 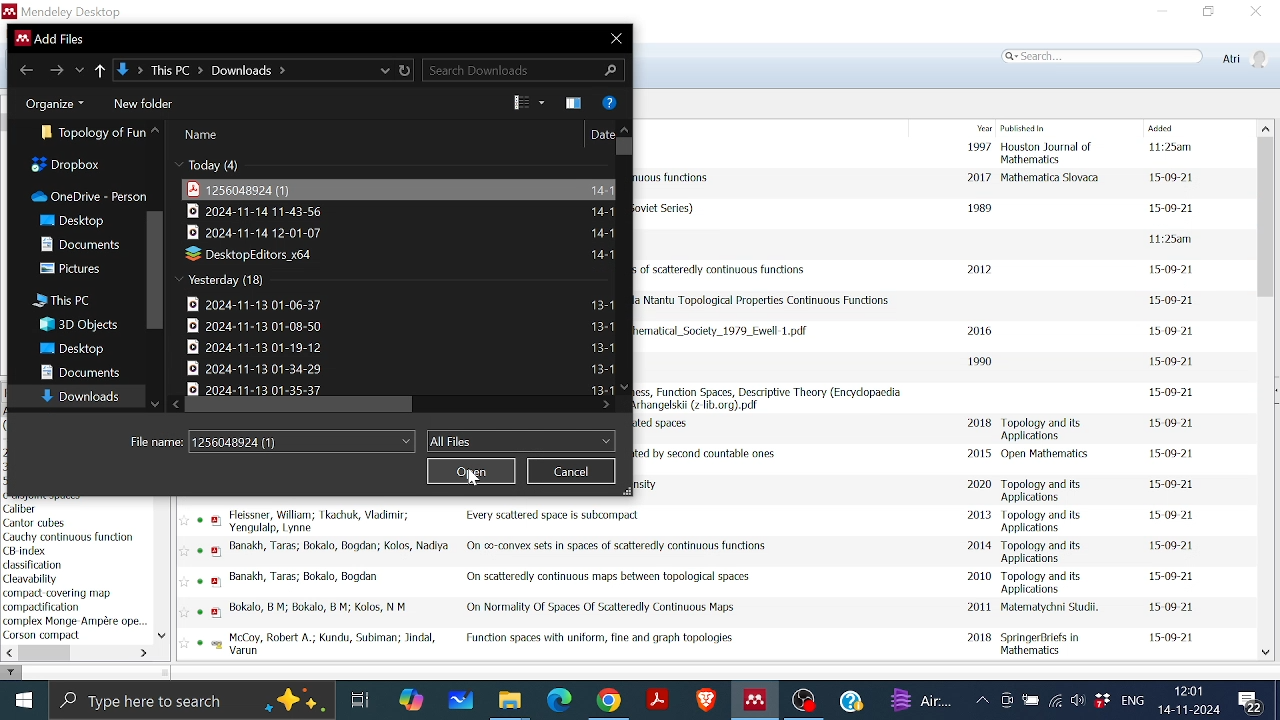 What do you see at coordinates (11, 652) in the screenshot?
I see `Move left in filter by author keyword` at bounding box center [11, 652].